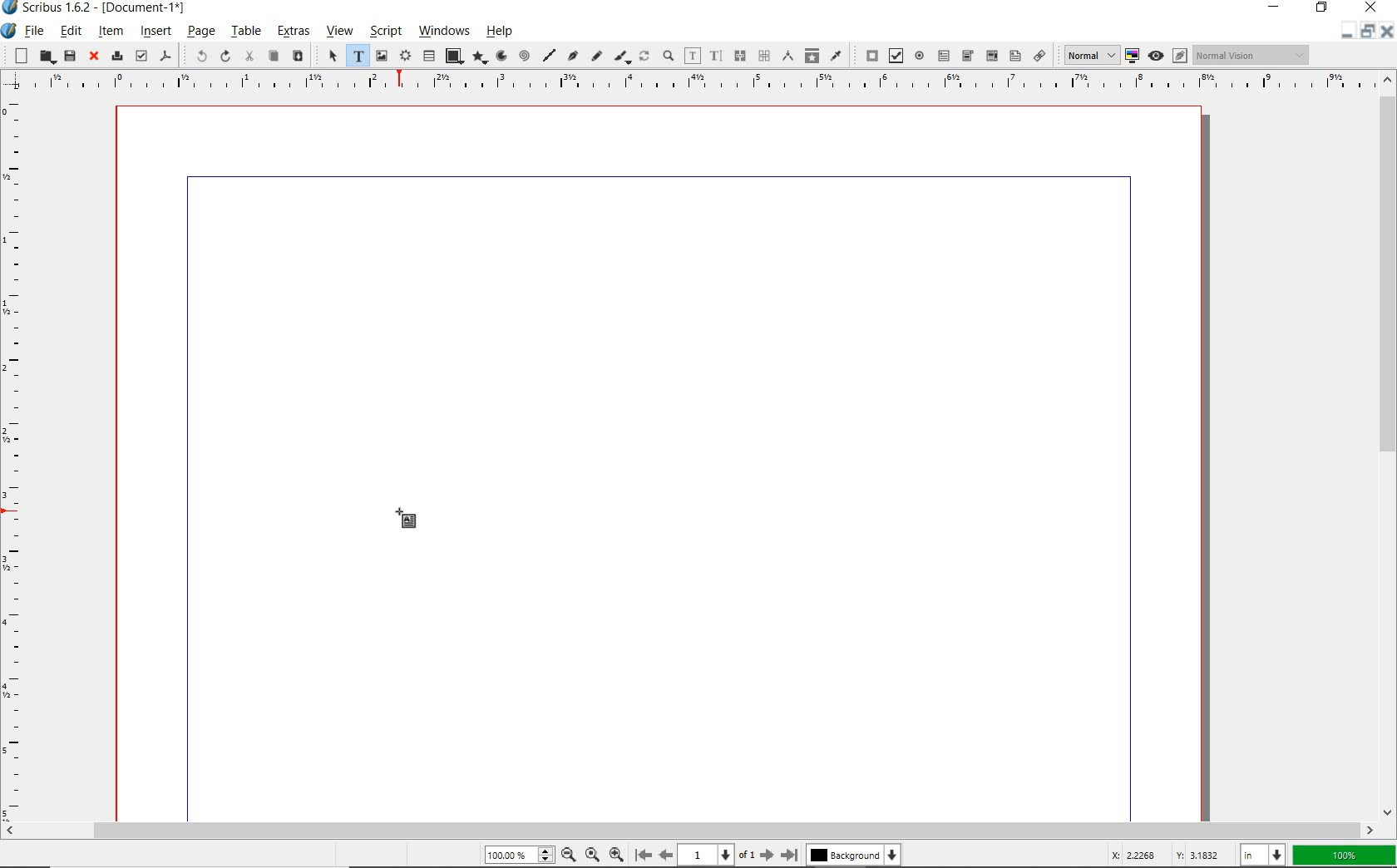 Image resolution: width=1397 pixels, height=868 pixels. What do you see at coordinates (1251, 56) in the screenshot?
I see `Normal vision` at bounding box center [1251, 56].